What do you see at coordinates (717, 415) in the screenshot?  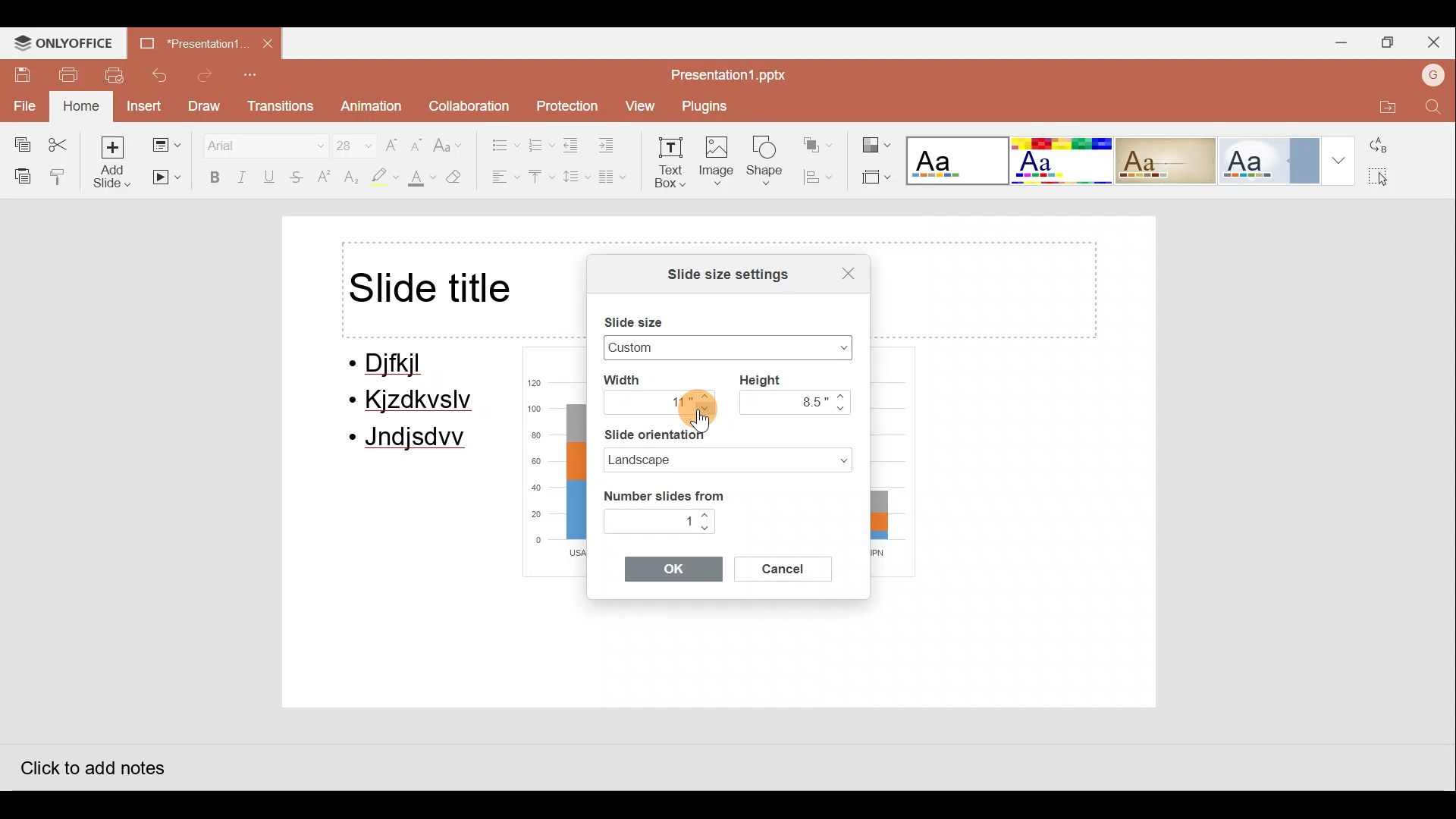 I see `Cursor on navigate down` at bounding box center [717, 415].